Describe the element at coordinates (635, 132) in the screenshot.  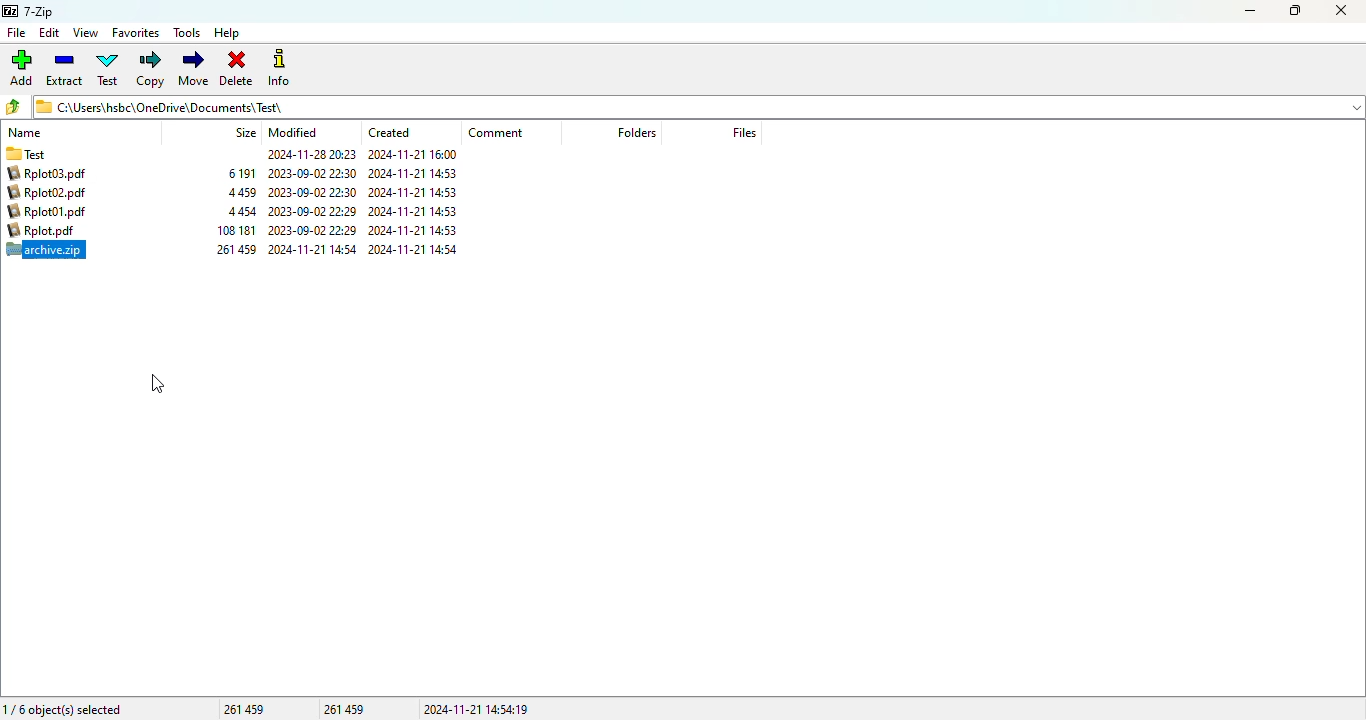
I see `folders` at that location.